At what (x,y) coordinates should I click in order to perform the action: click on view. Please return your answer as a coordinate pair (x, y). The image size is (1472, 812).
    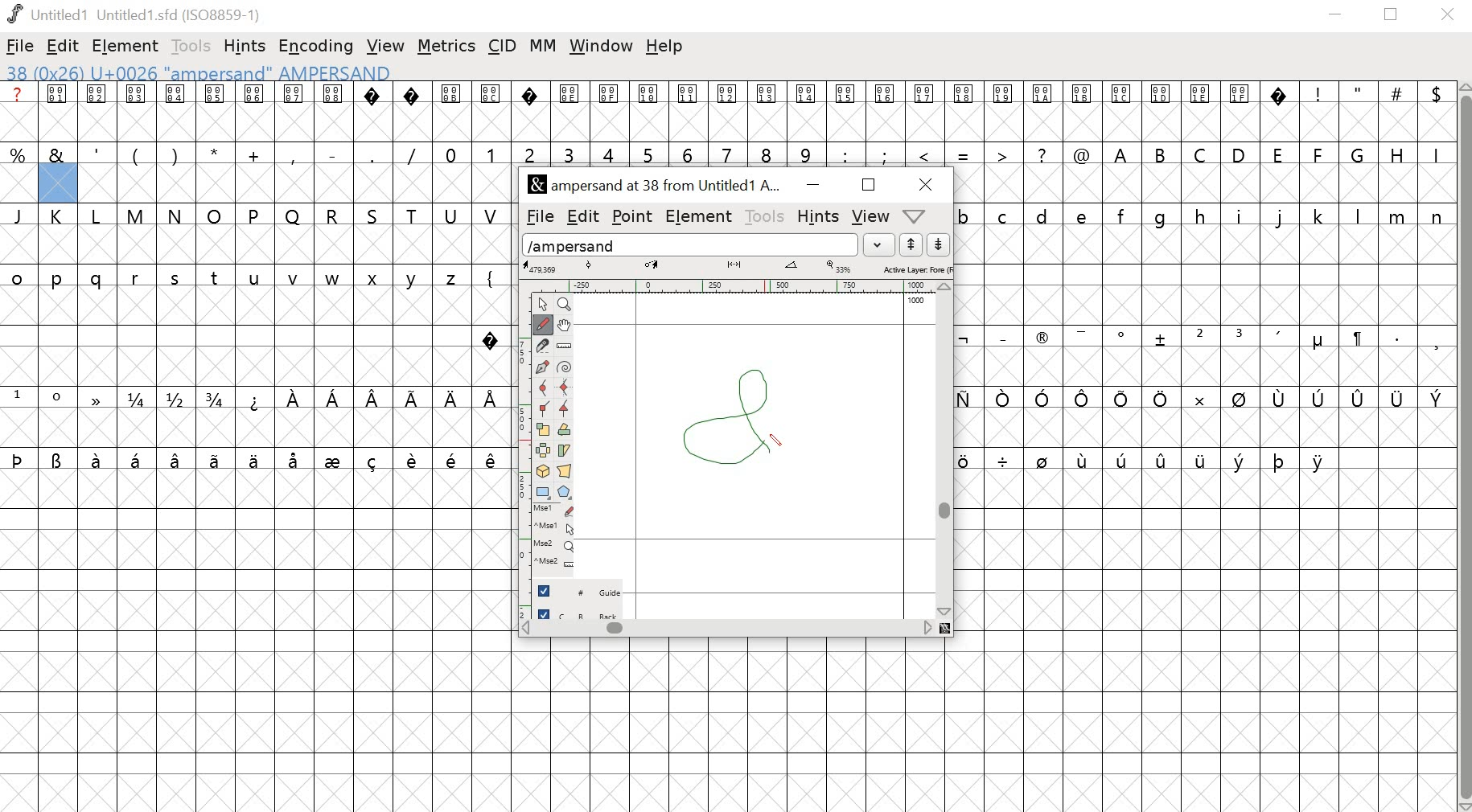
    Looking at the image, I should click on (872, 215).